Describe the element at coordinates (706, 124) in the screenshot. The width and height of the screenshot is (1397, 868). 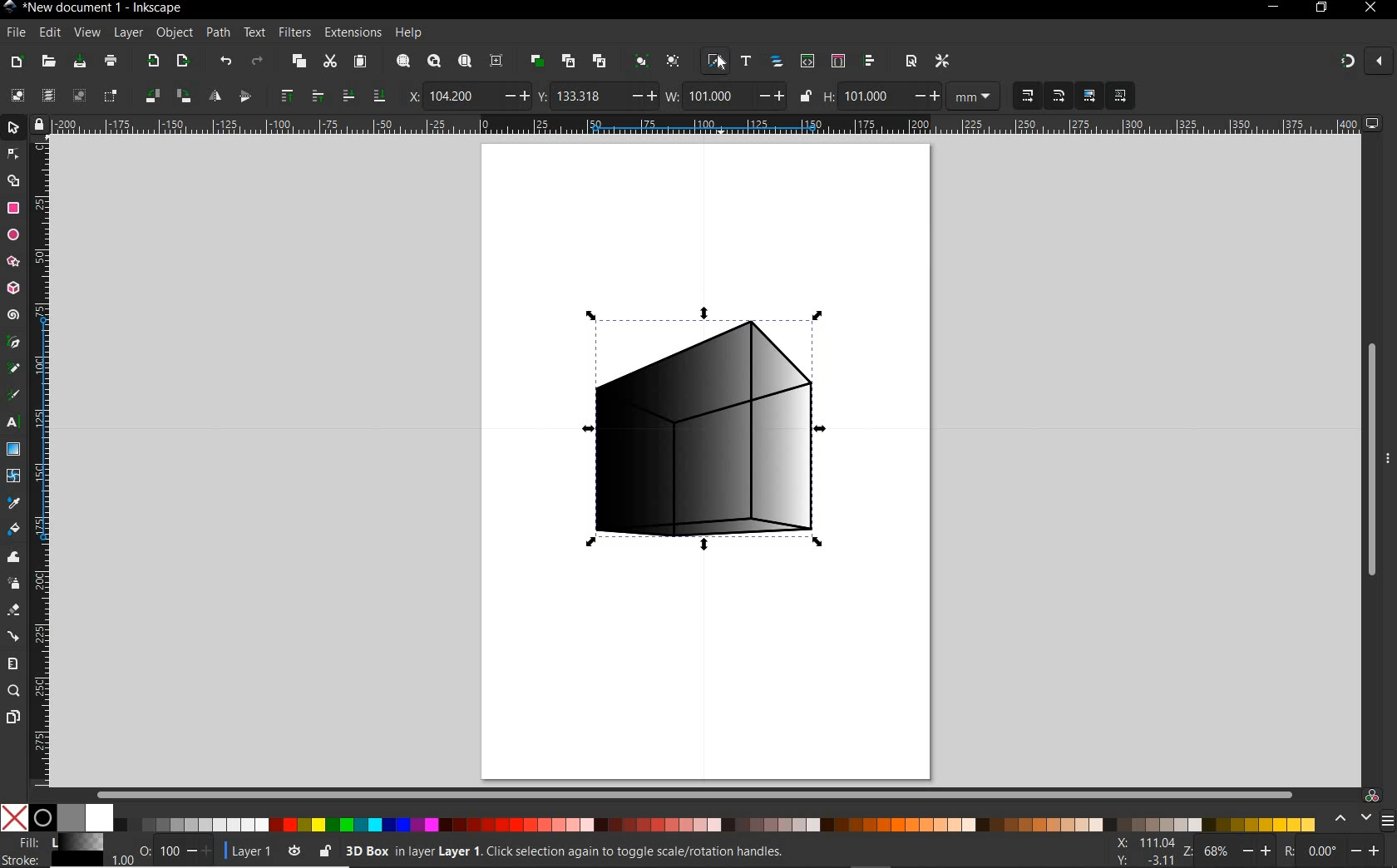
I see `RULER` at that location.